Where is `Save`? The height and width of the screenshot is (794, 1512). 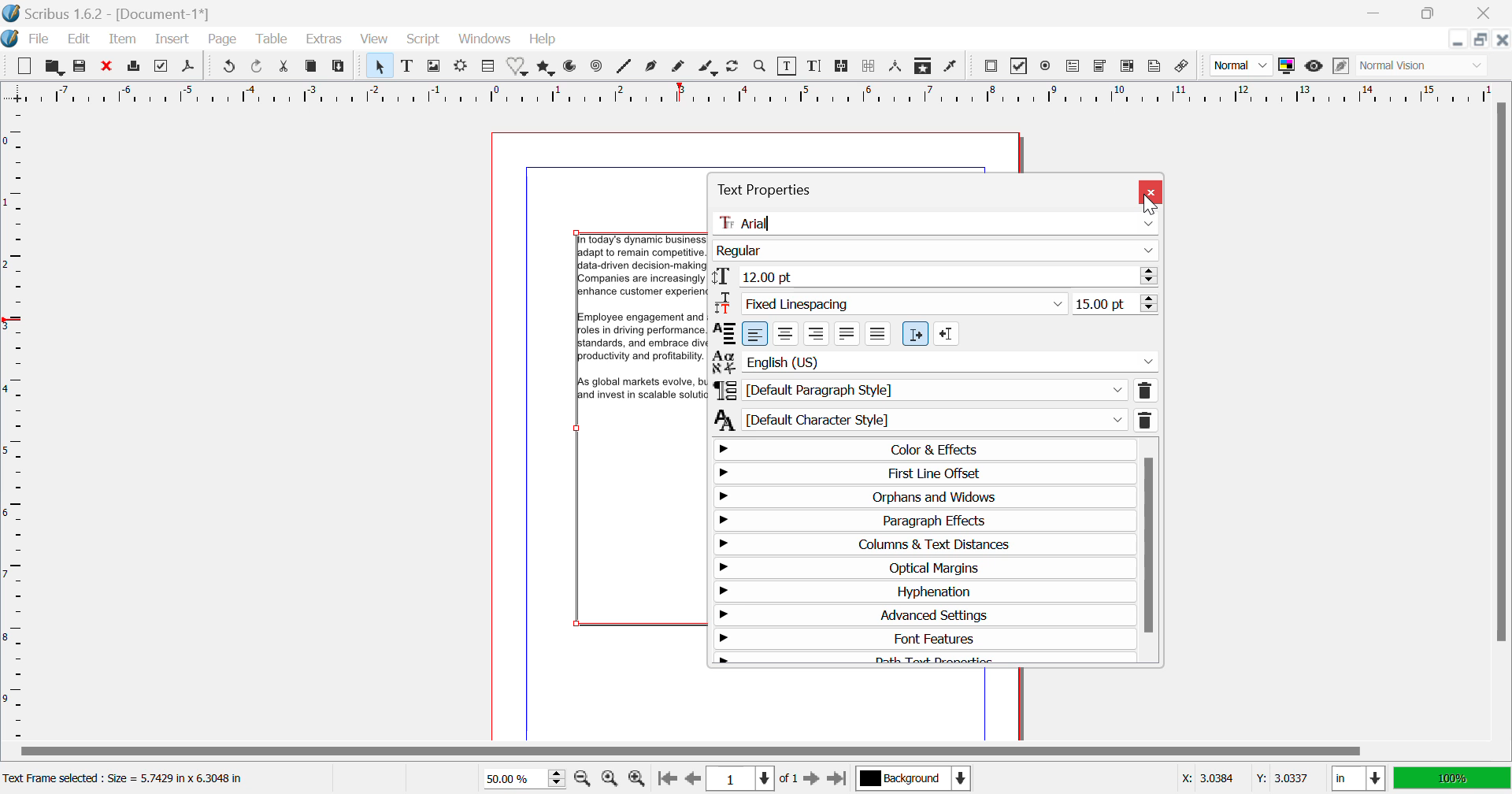
Save is located at coordinates (82, 66).